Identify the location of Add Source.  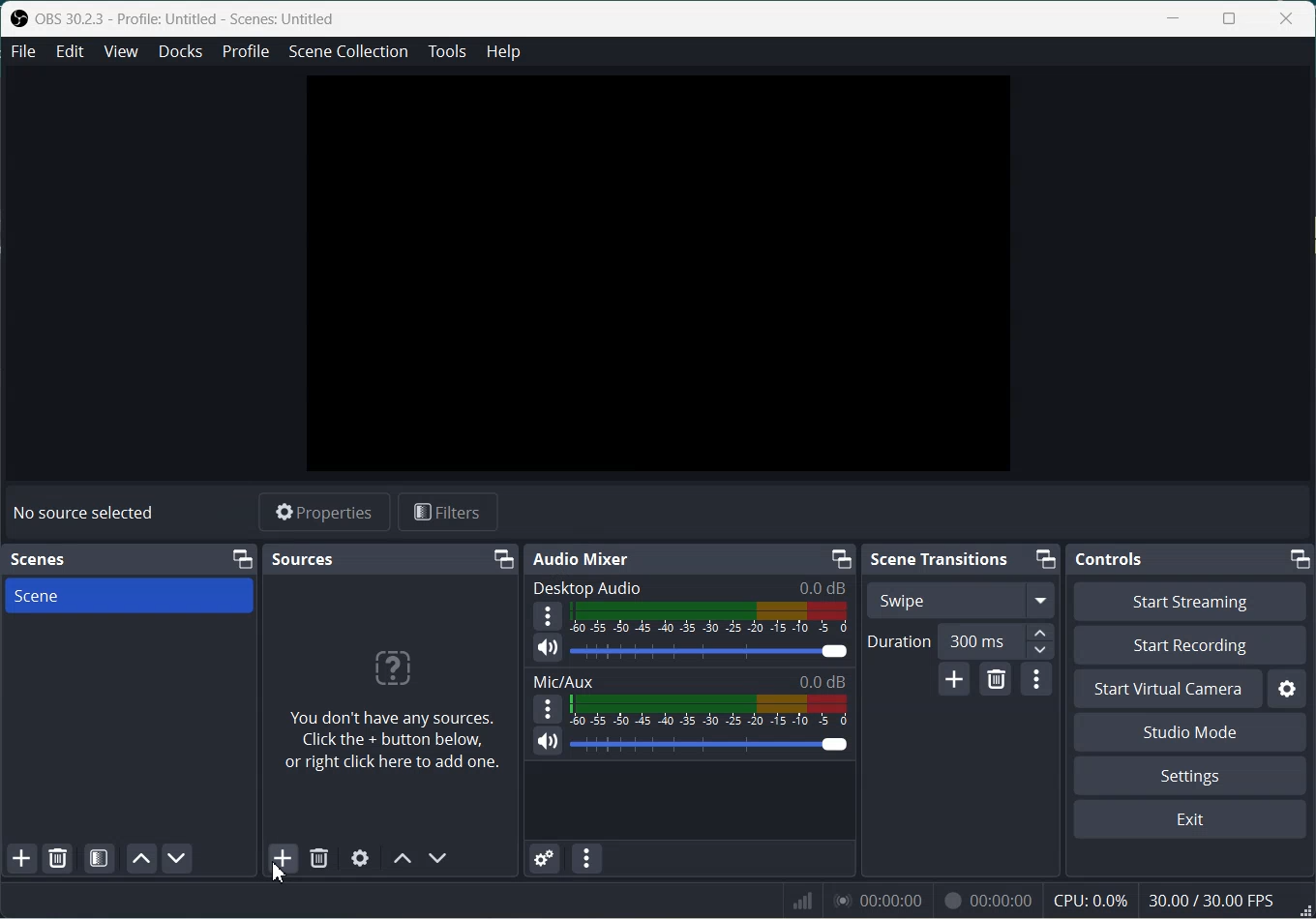
(284, 858).